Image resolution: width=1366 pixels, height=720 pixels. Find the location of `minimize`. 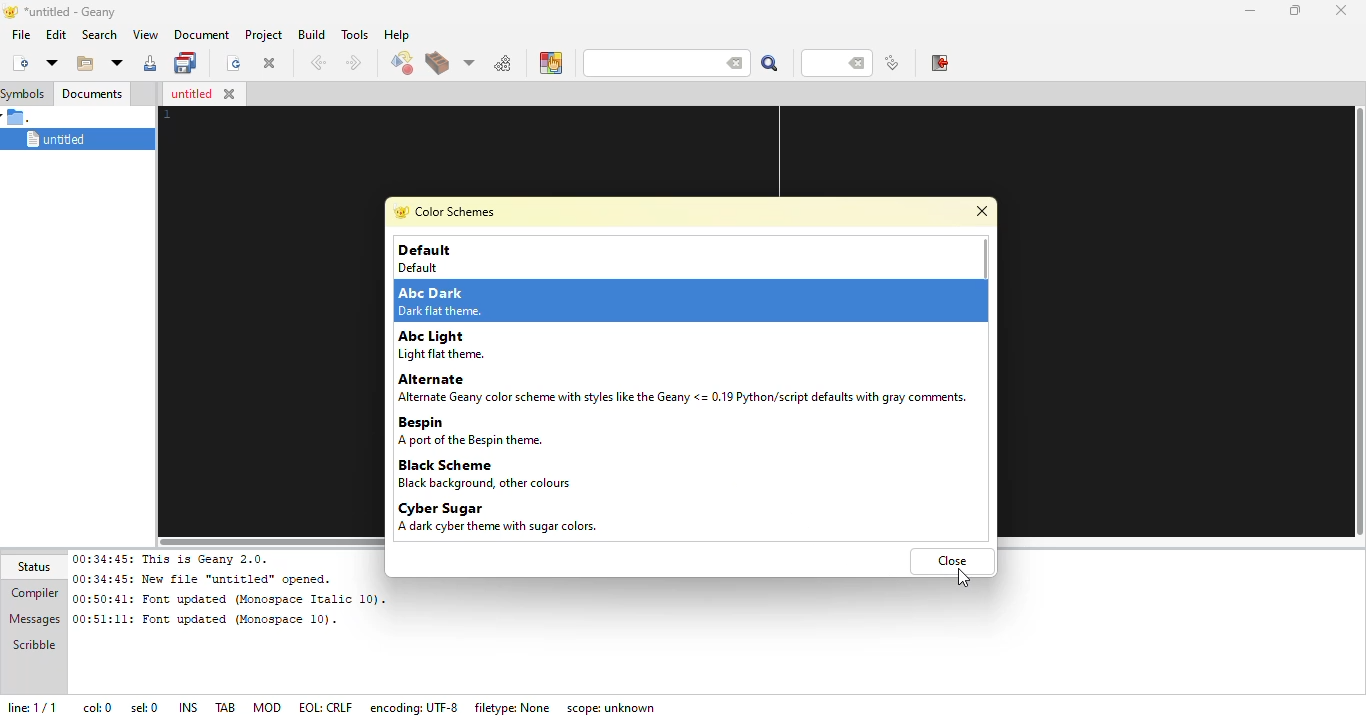

minimize is located at coordinates (1247, 10).